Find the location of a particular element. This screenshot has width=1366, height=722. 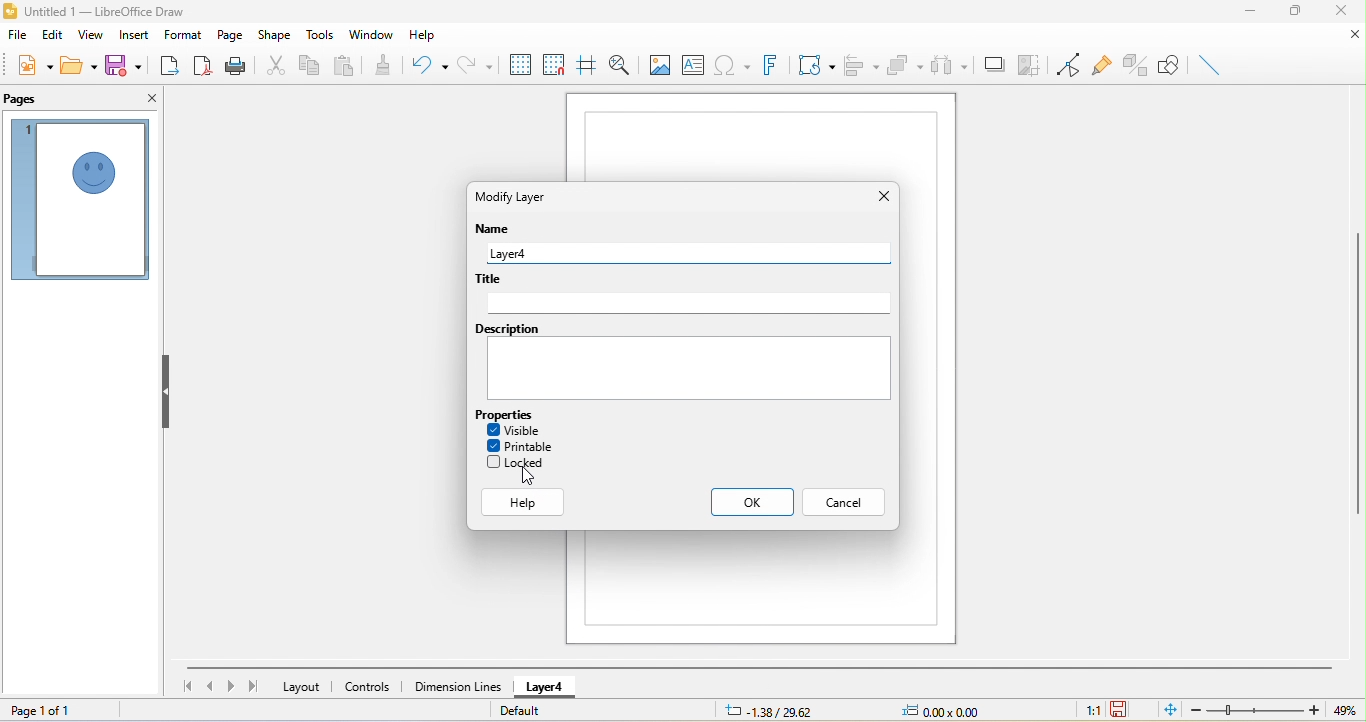

open is located at coordinates (78, 65).